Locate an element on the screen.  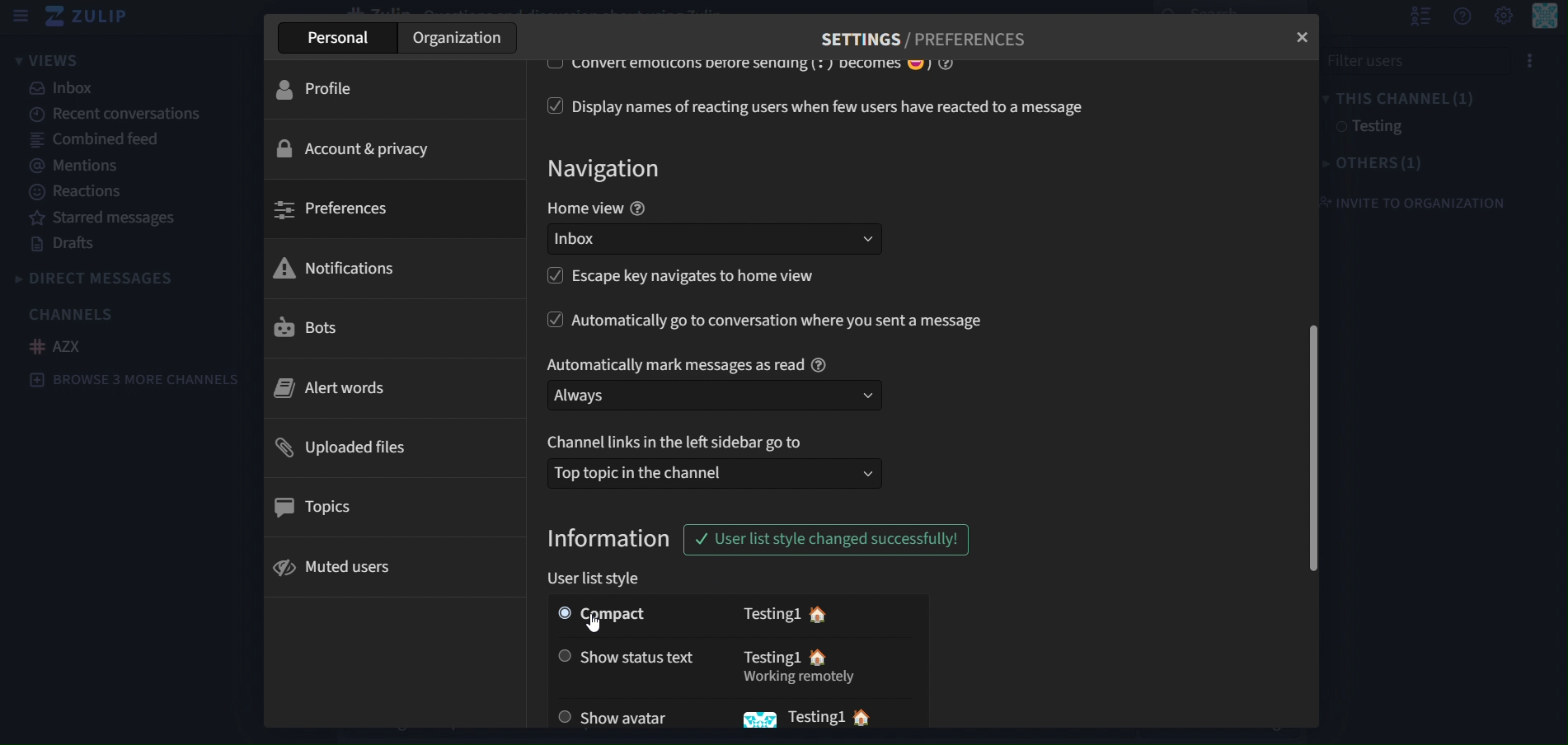
check box is located at coordinates (548, 321).